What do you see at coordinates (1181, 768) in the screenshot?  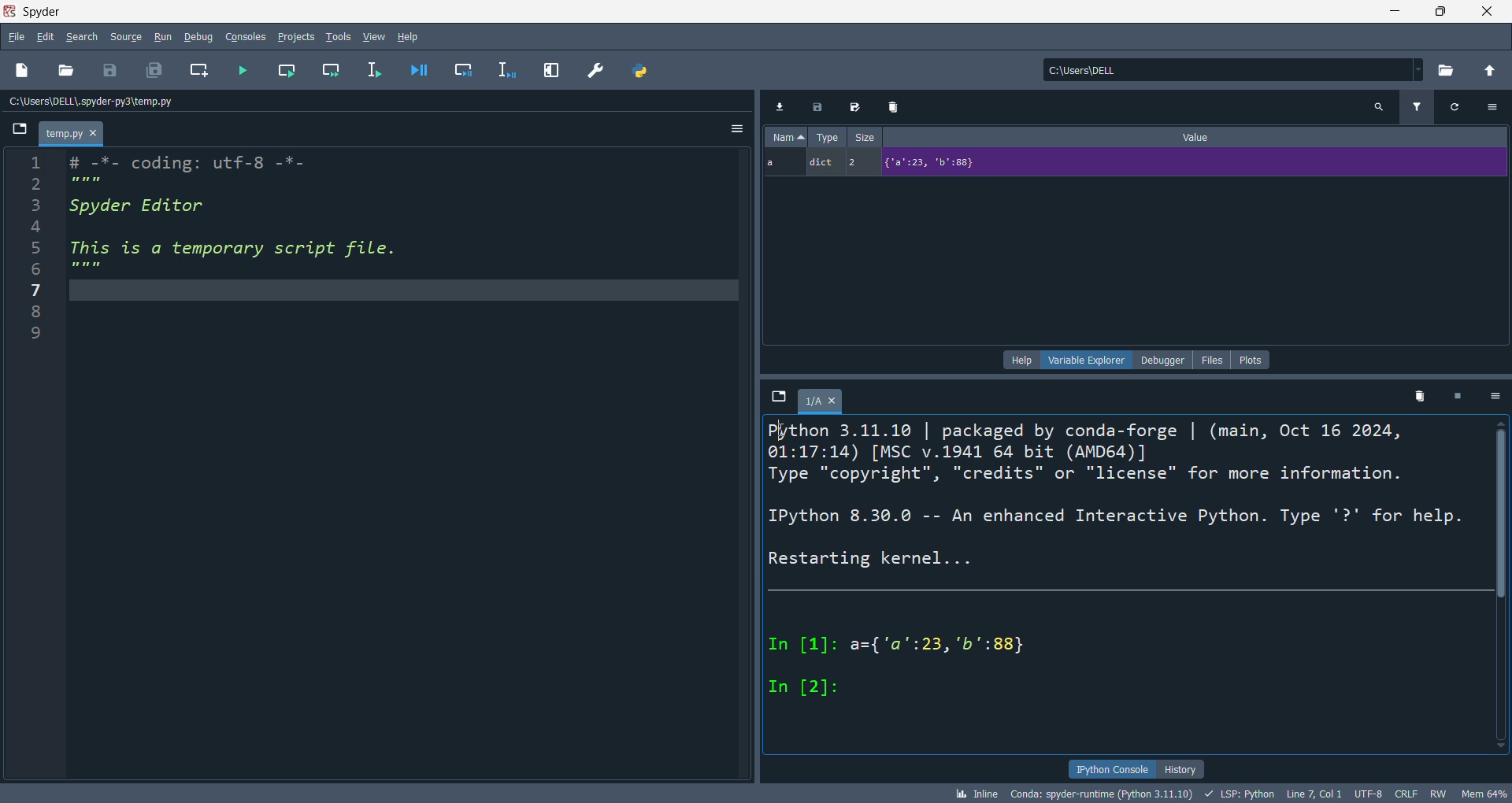 I see `history` at bounding box center [1181, 768].